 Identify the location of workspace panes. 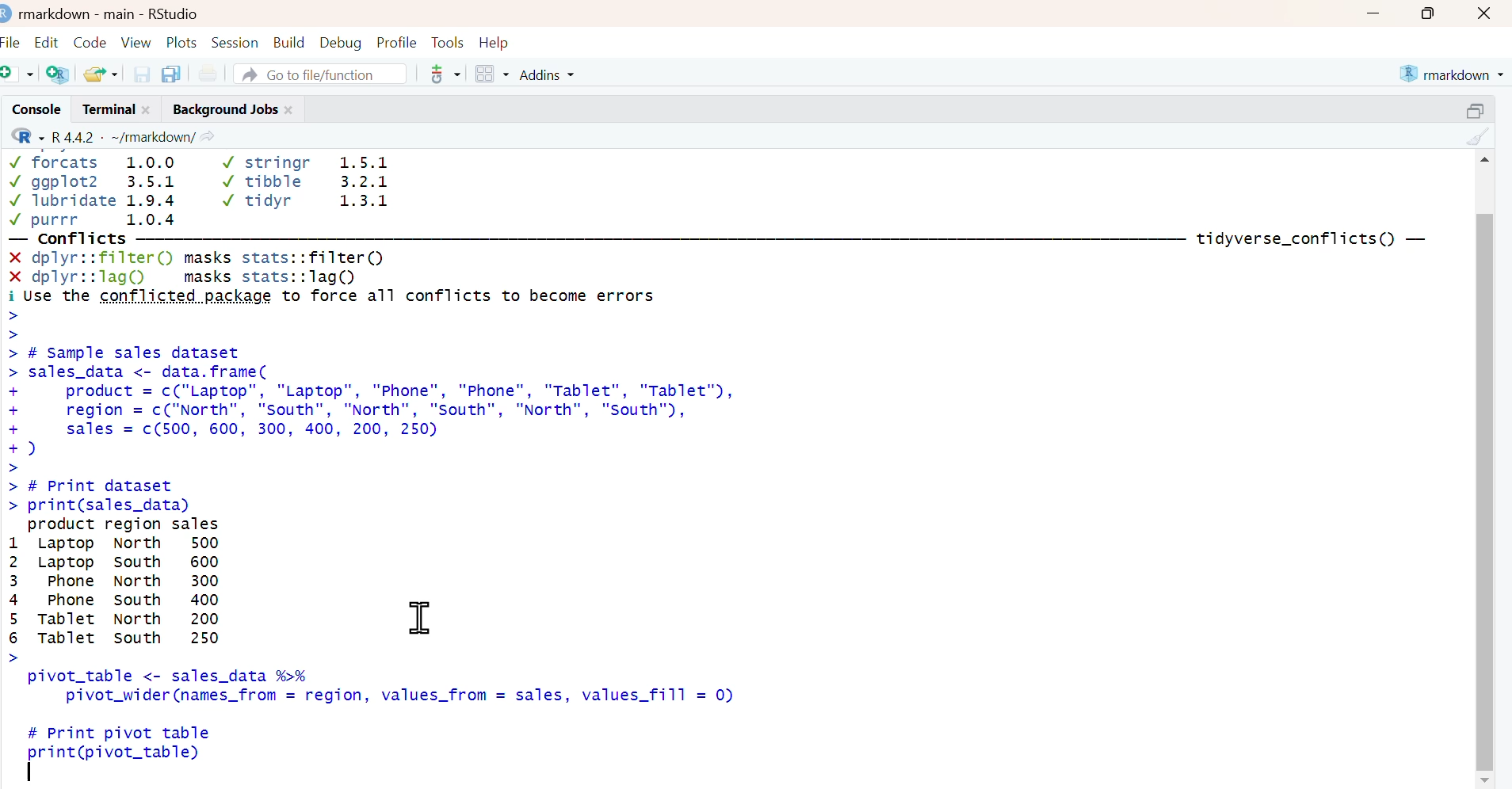
(492, 74).